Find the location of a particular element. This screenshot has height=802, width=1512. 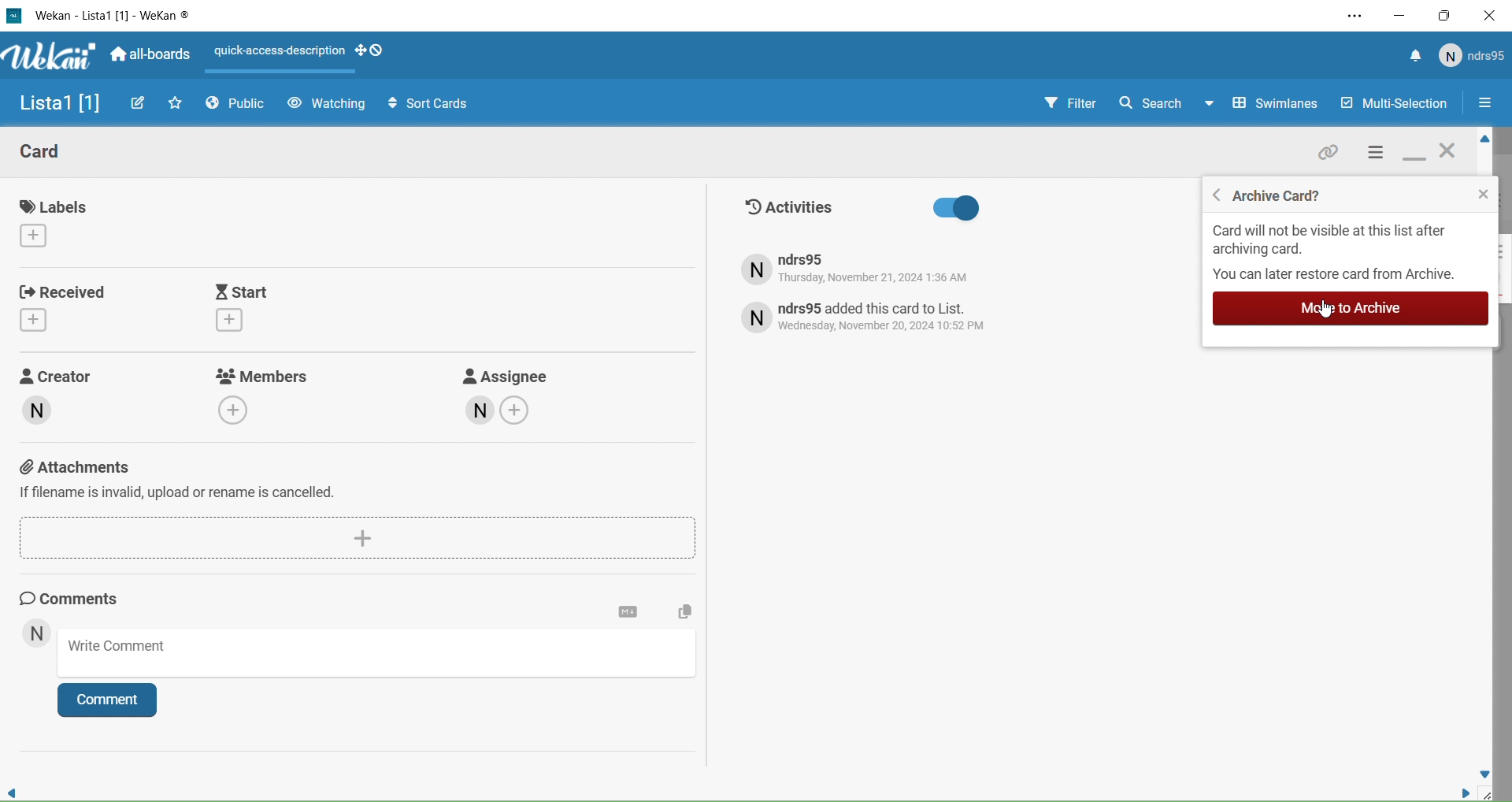

Swimlines is located at coordinates (1265, 104).